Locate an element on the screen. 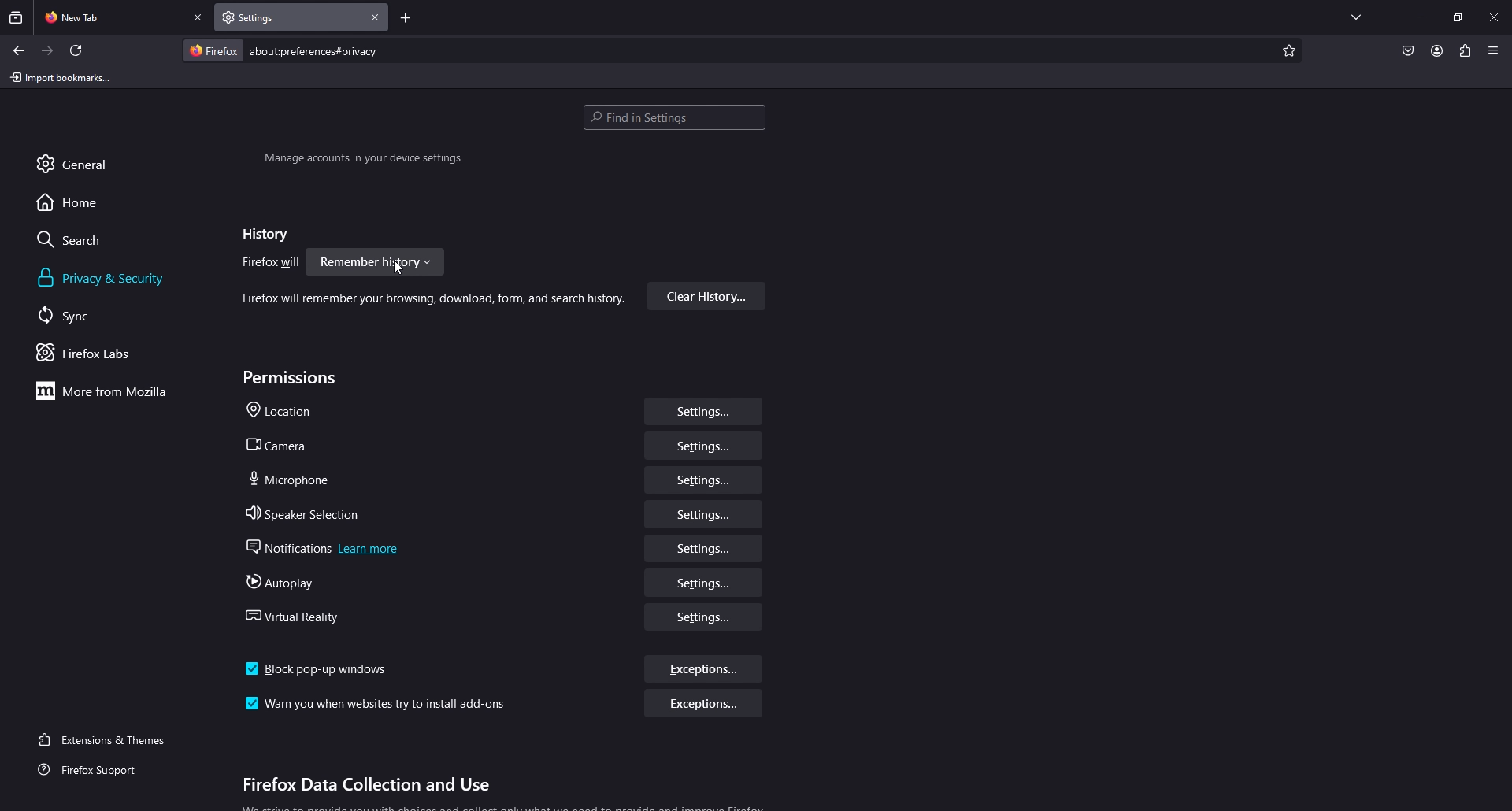 The height and width of the screenshot is (811, 1512). search is located at coordinates (83, 239).